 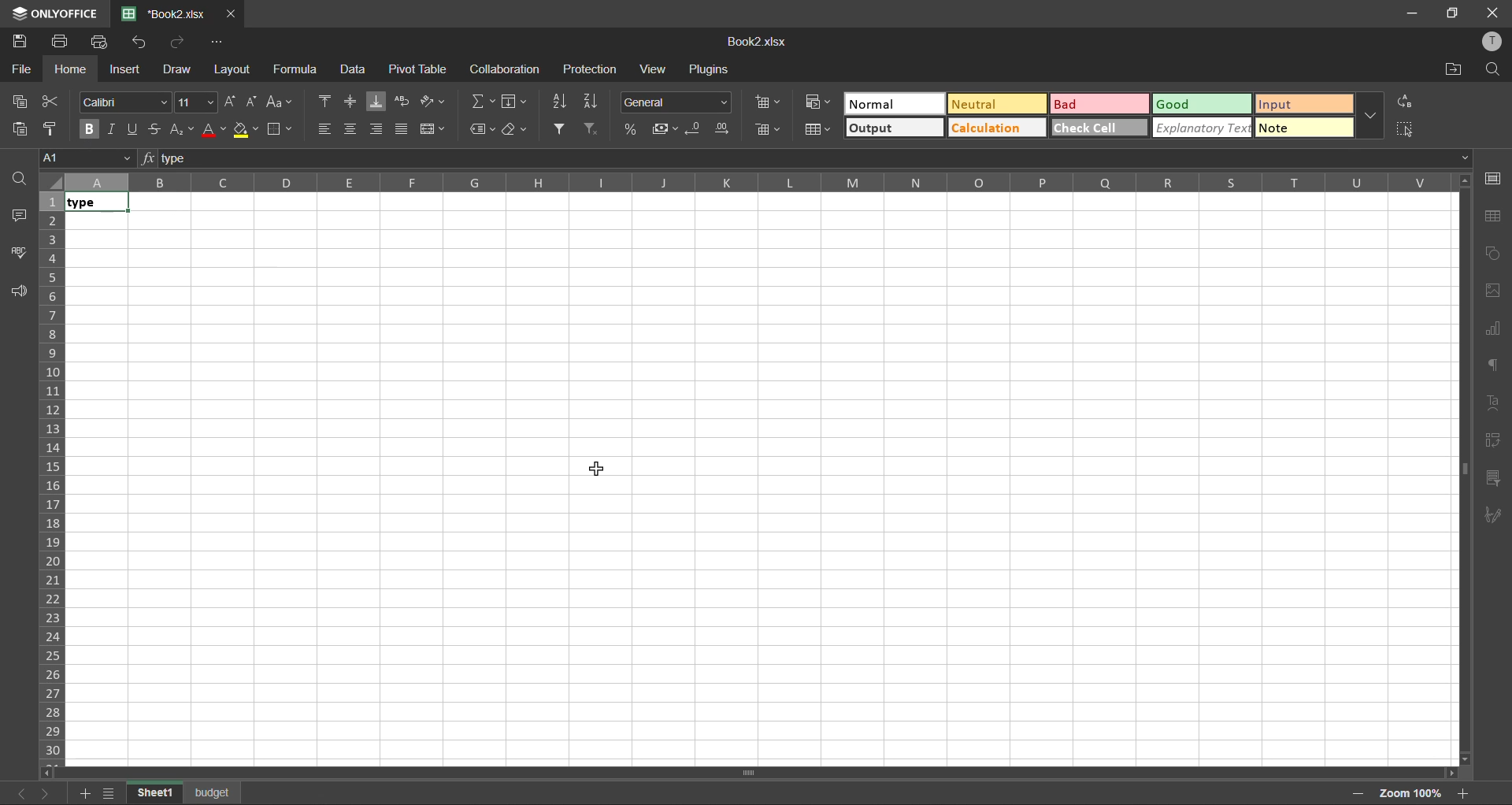 I want to click on zoom out, so click(x=1358, y=795).